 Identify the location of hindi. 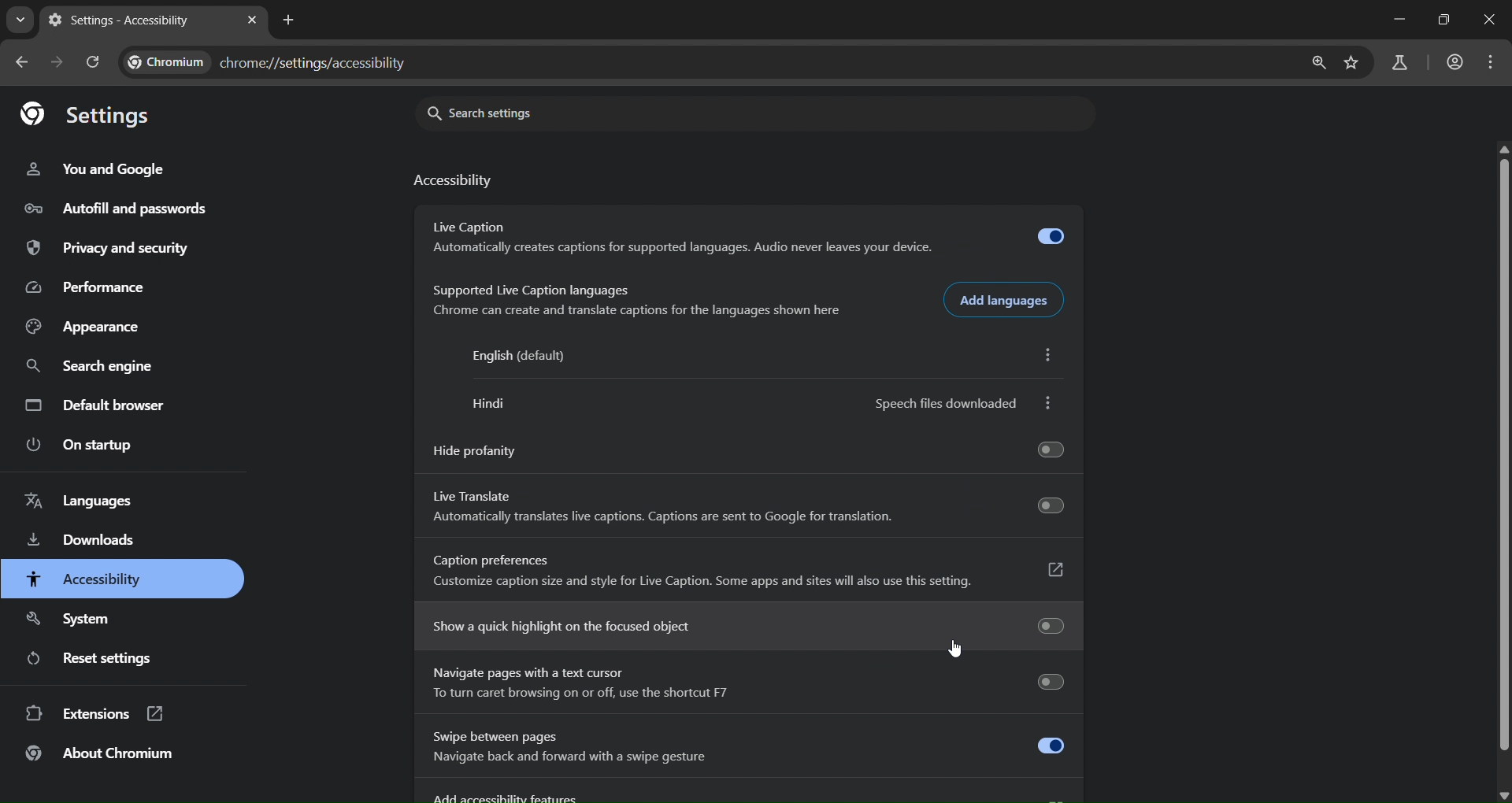
(491, 405).